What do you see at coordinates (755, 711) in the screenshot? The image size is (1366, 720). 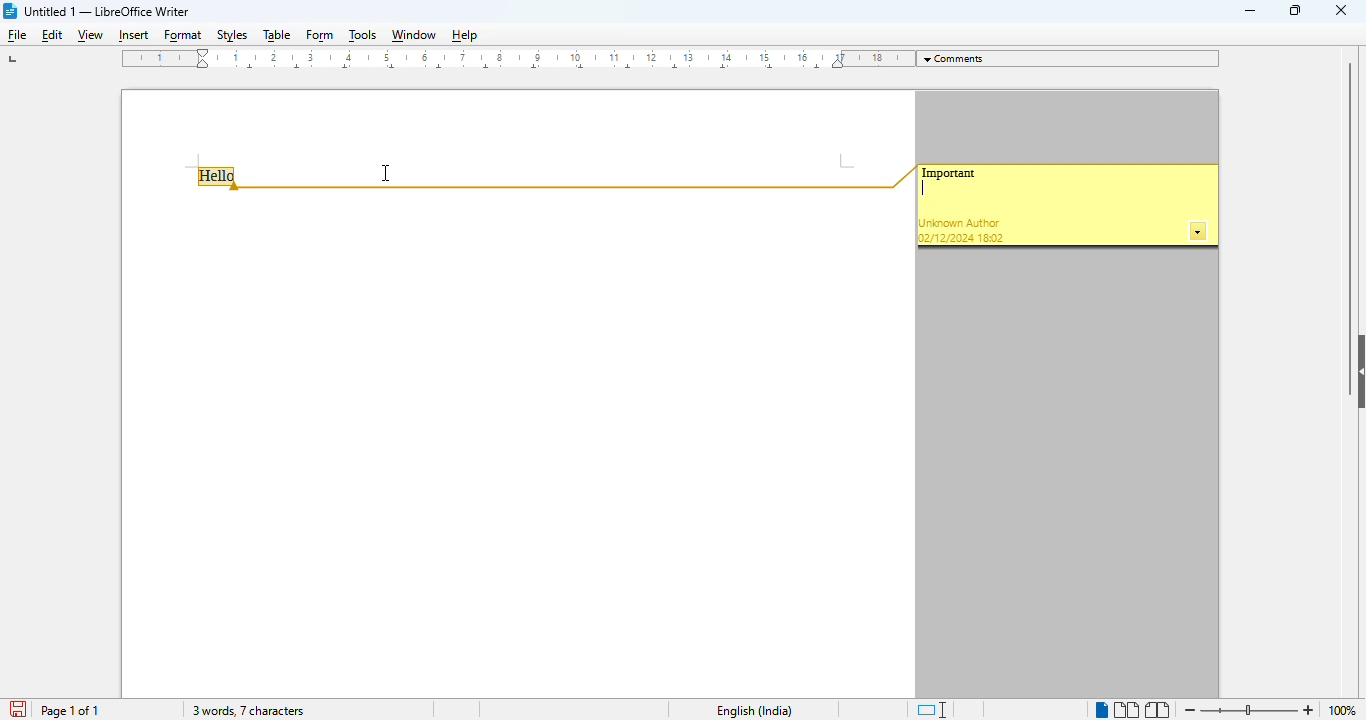 I see `text language` at bounding box center [755, 711].